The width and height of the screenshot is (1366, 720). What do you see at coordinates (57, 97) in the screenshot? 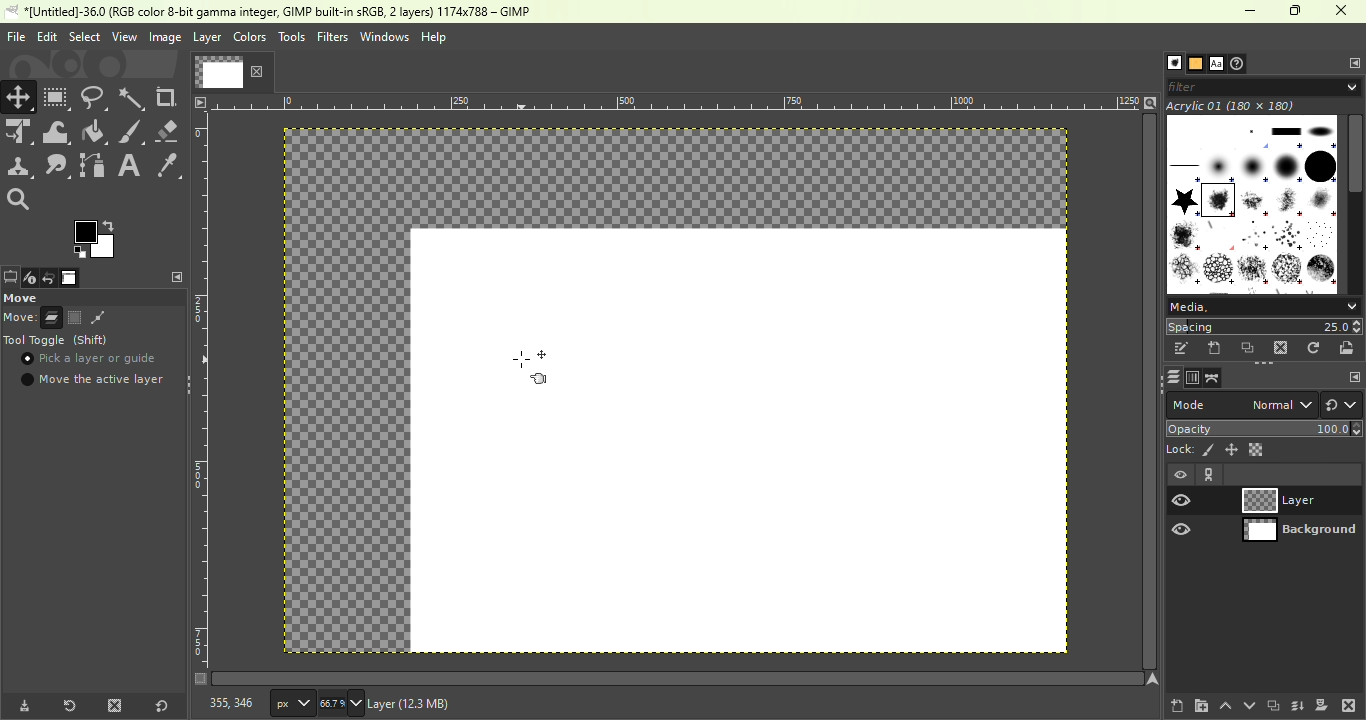
I see `Rectangle select tool` at bounding box center [57, 97].